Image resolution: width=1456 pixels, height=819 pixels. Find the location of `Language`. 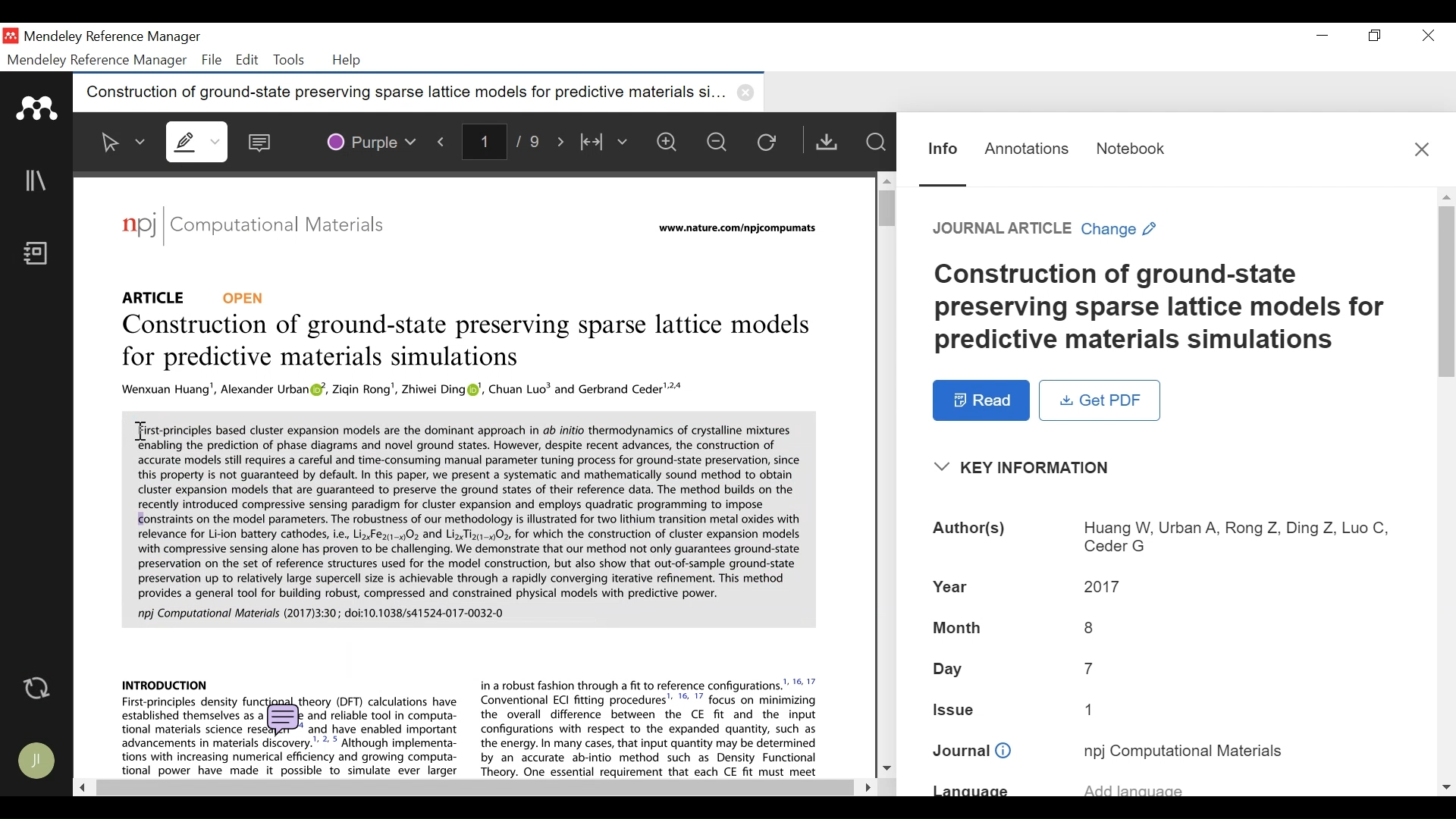

Language is located at coordinates (1134, 786).